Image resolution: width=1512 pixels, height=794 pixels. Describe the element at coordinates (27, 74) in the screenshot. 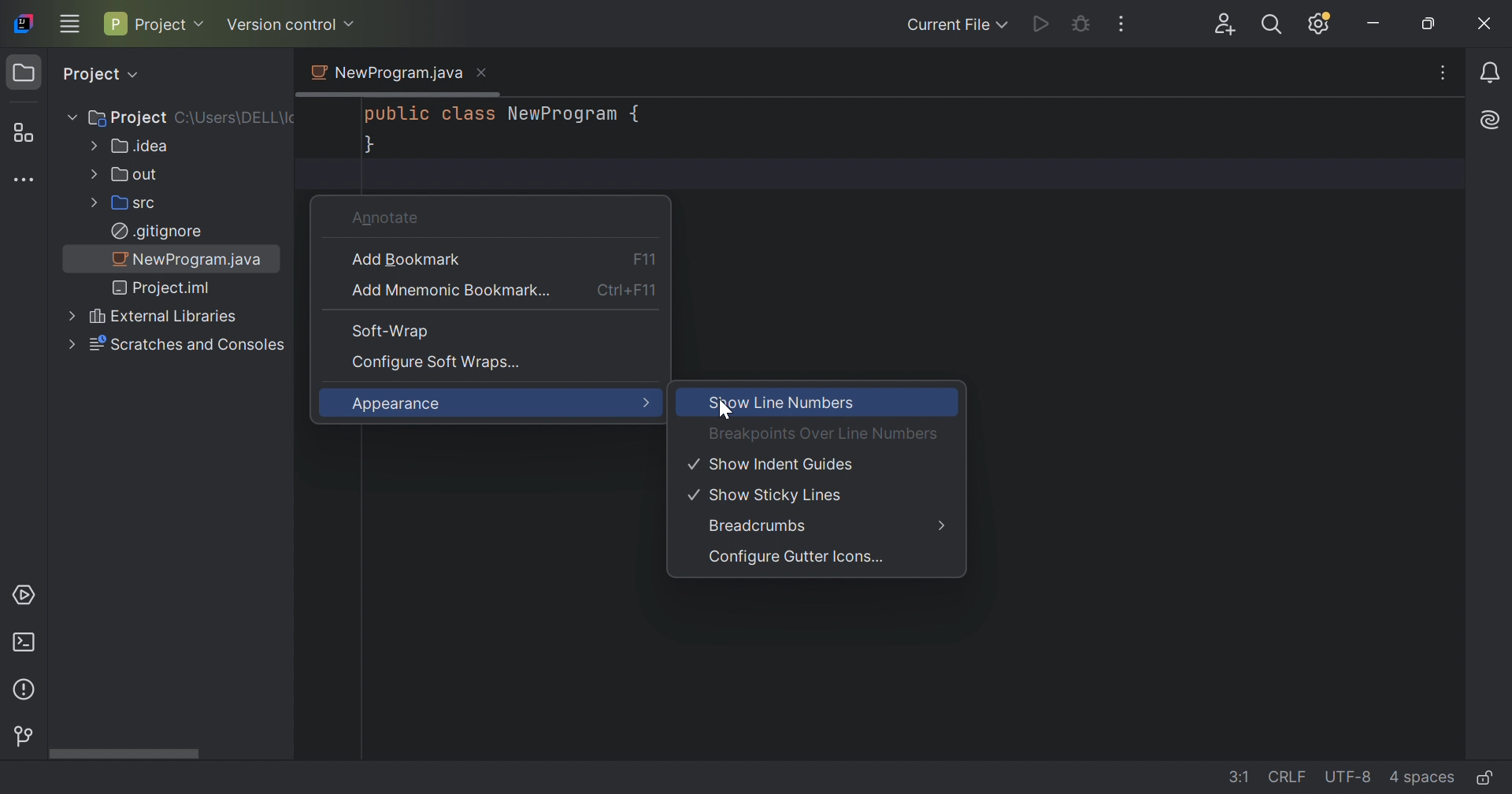

I see `Project` at that location.